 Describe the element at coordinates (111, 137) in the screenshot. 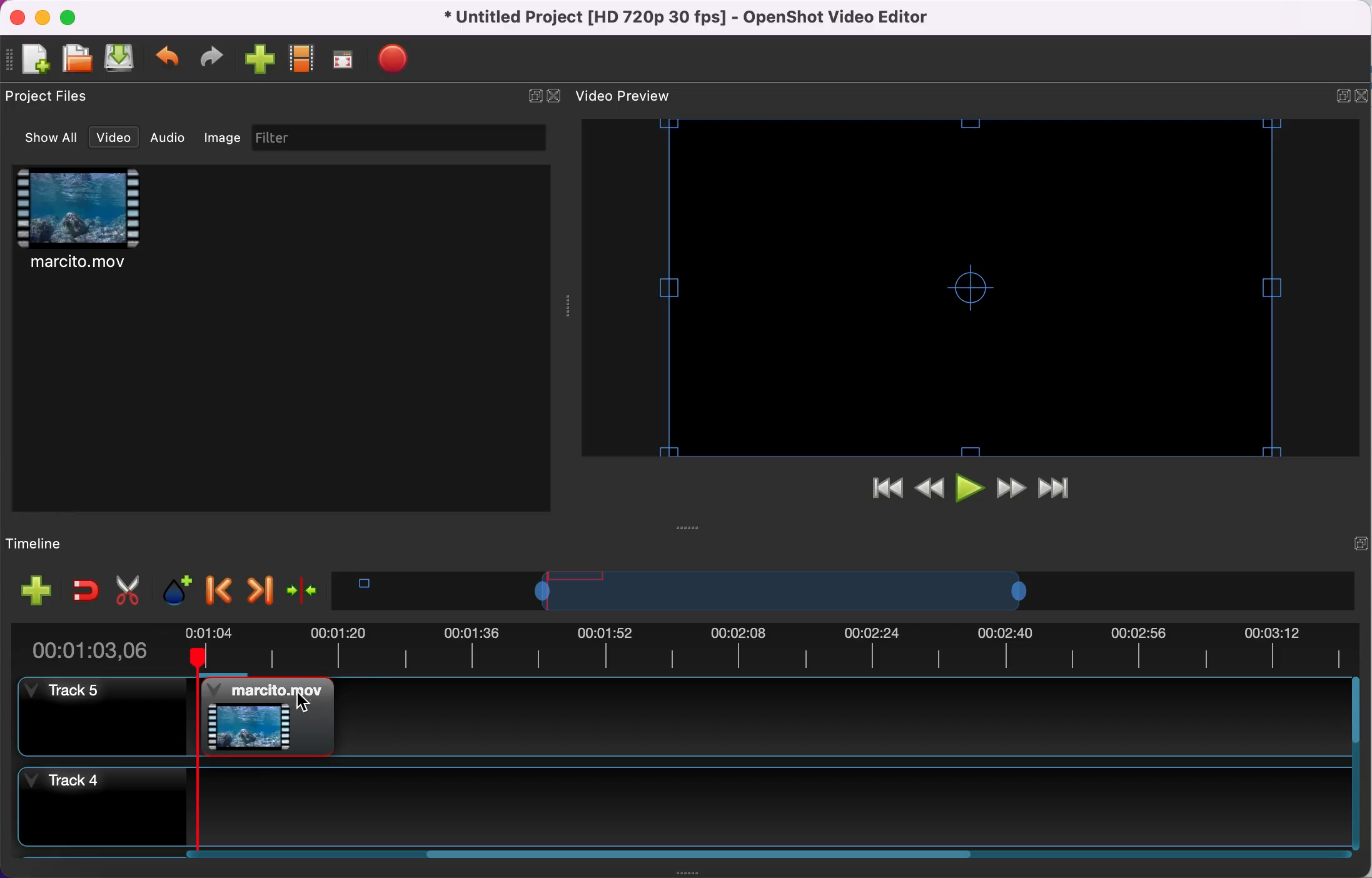

I see `video` at that location.